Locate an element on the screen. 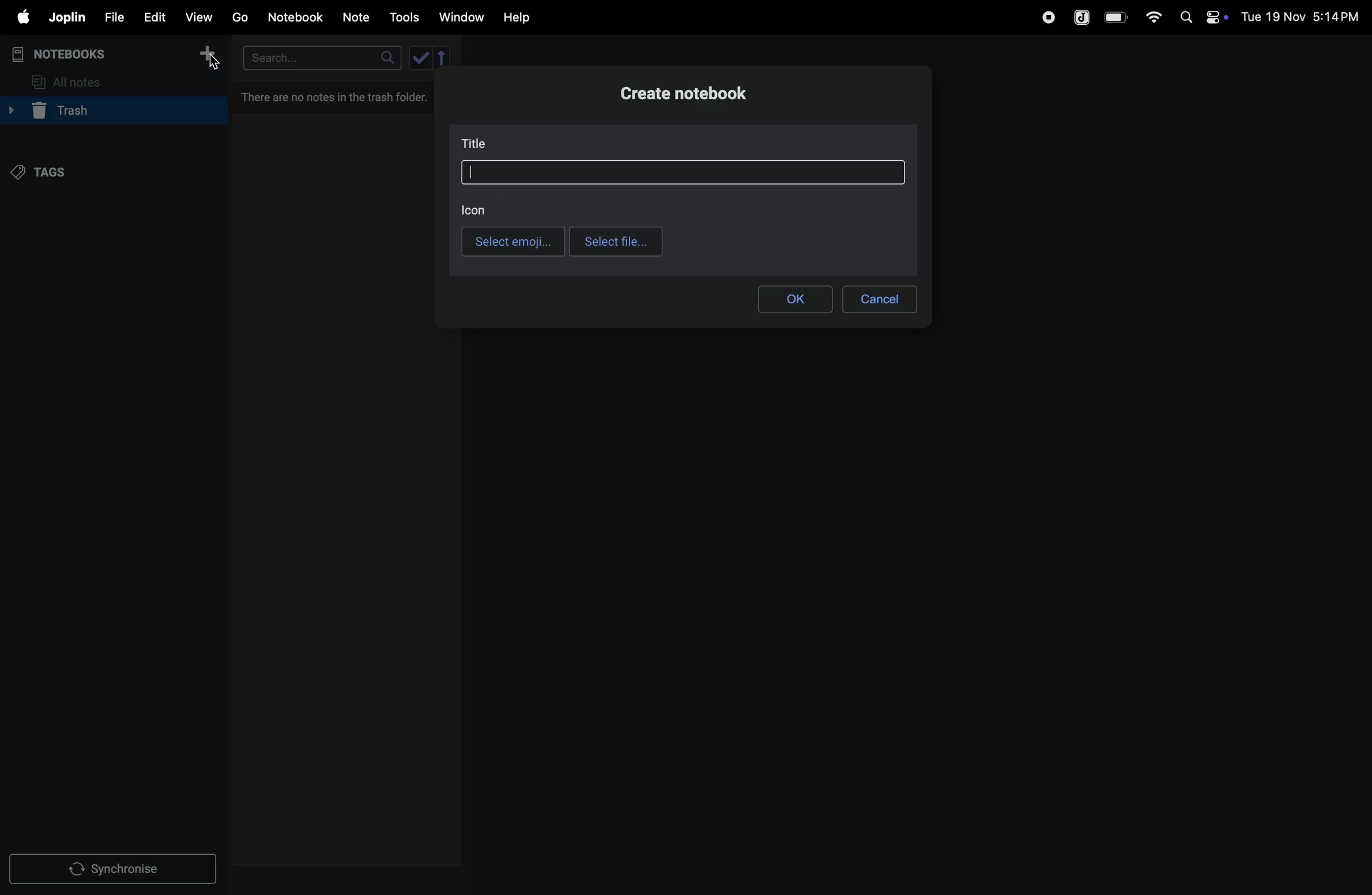 Image resolution: width=1372 pixels, height=895 pixels. select emoji is located at coordinates (513, 241).